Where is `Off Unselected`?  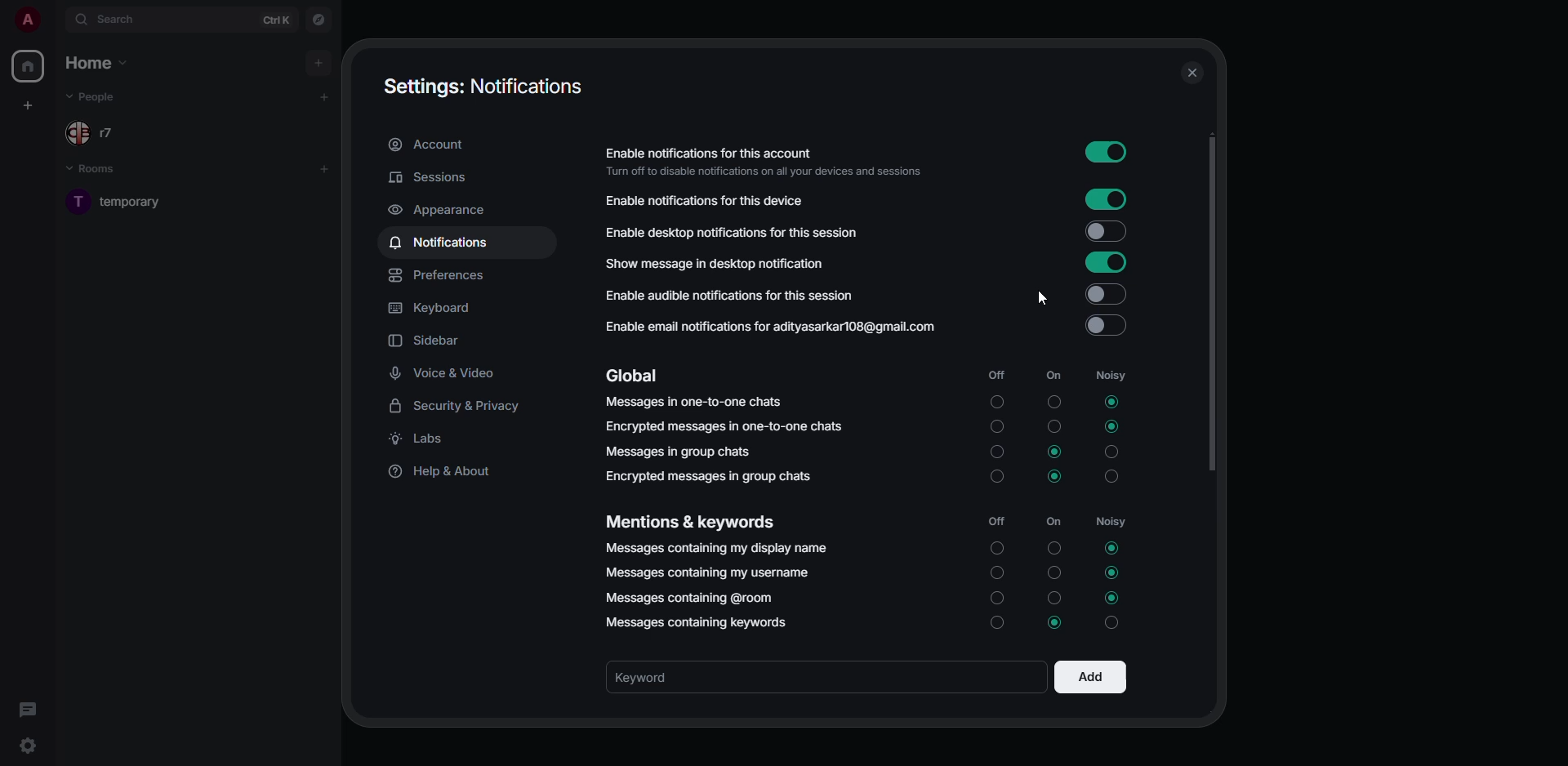 Off Unselected is located at coordinates (996, 596).